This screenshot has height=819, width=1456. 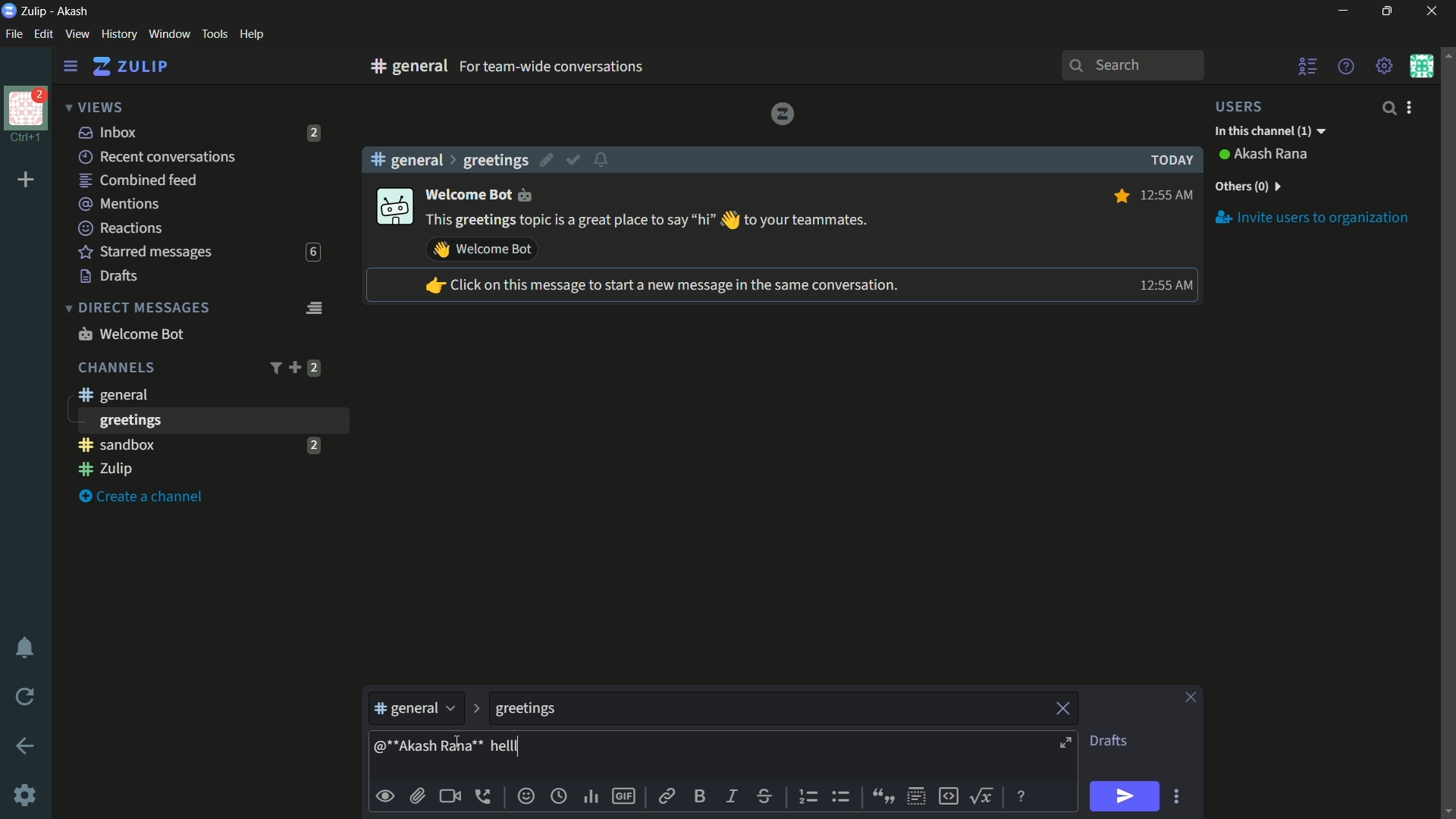 I want to click on upload files, so click(x=417, y=796).